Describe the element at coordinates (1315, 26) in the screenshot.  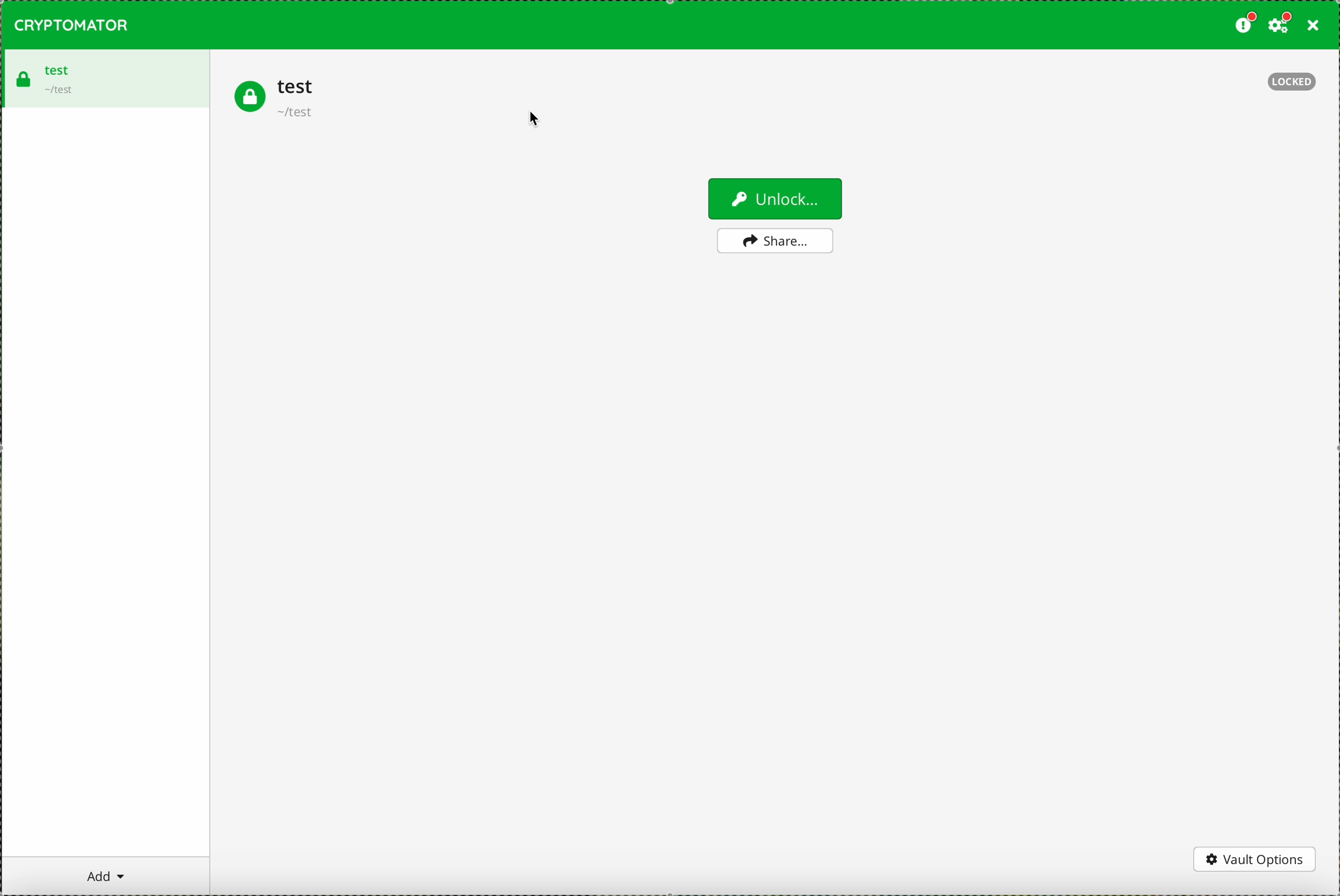
I see `close program` at that location.